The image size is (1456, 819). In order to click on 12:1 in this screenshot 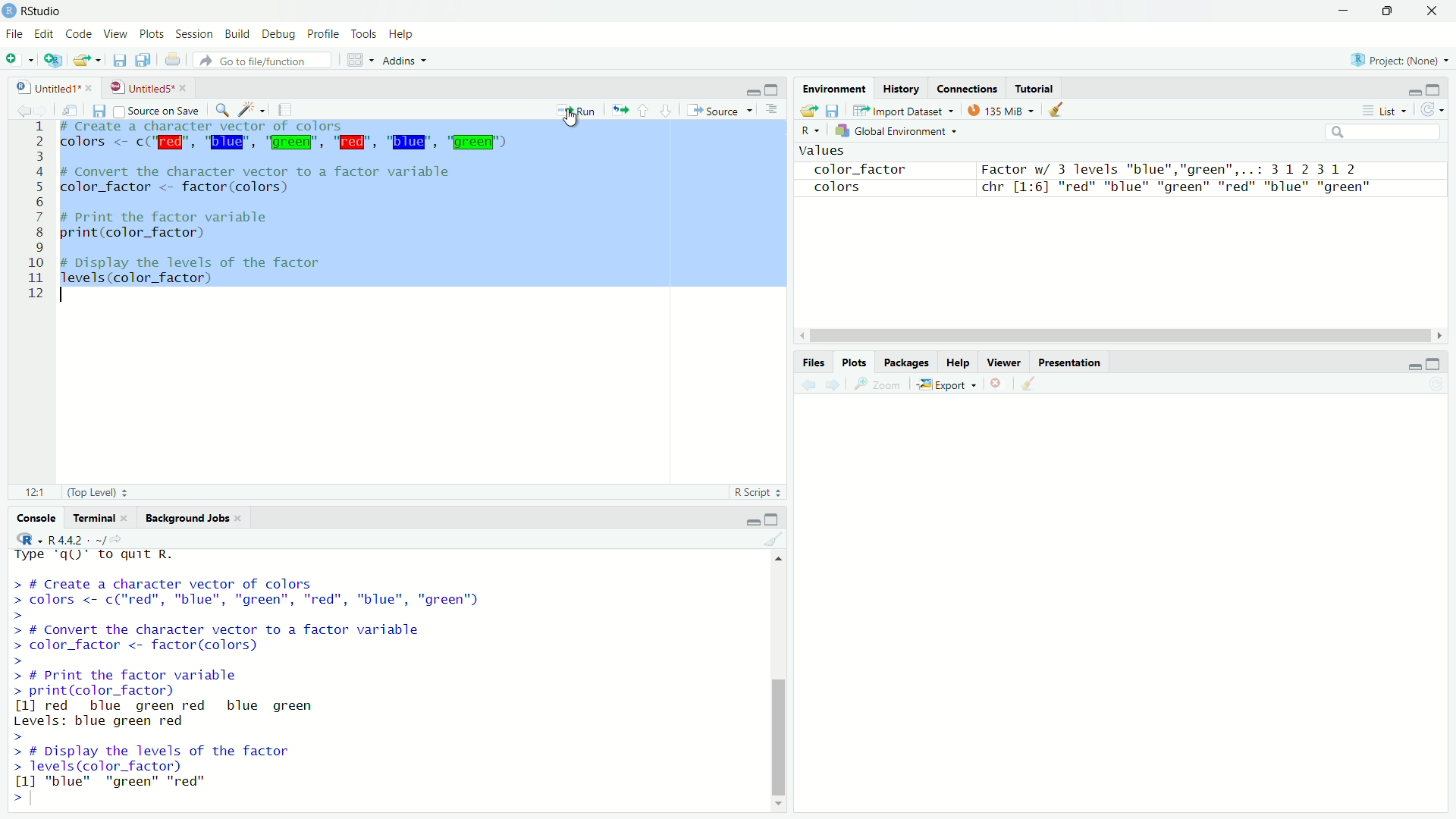, I will do `click(30, 492)`.